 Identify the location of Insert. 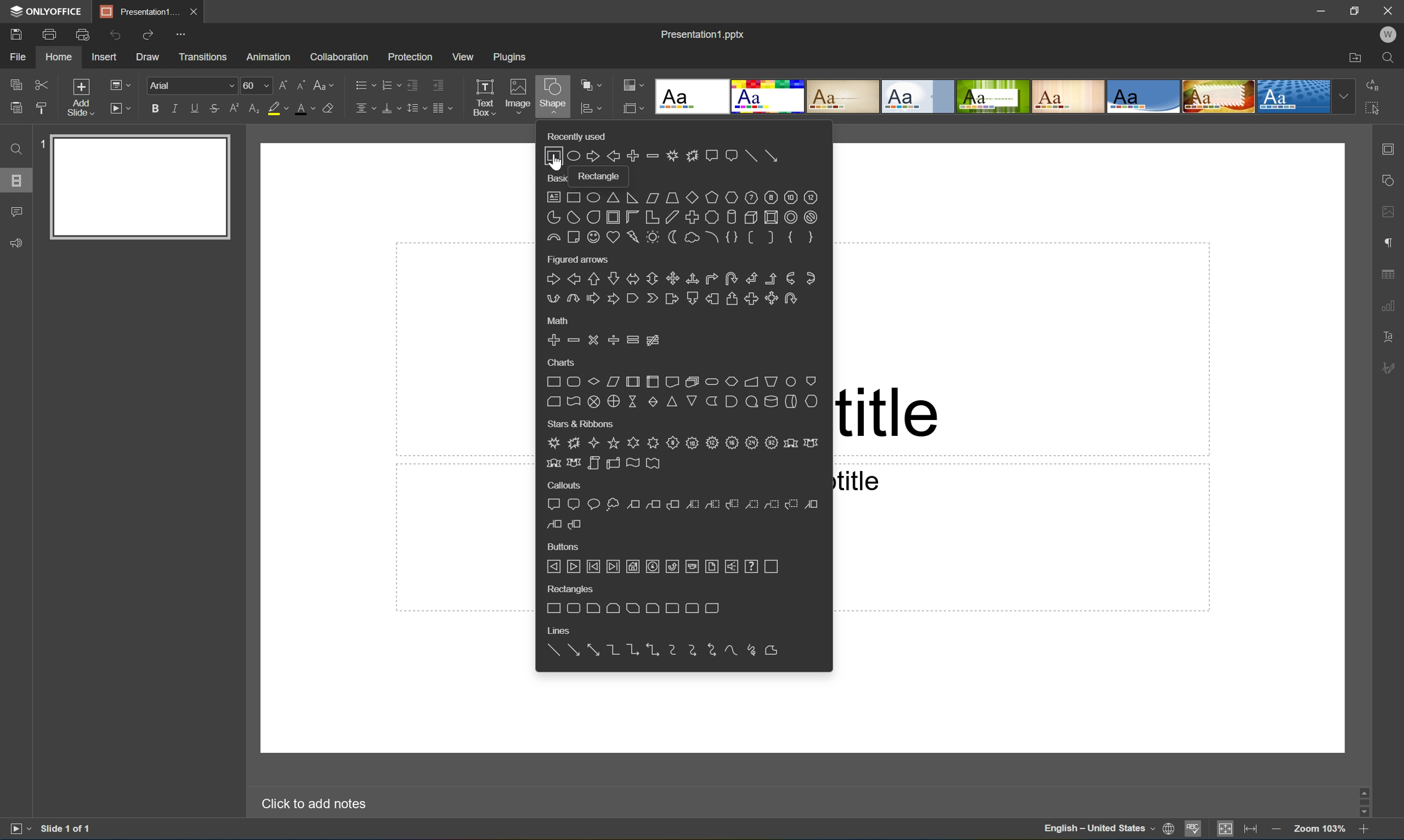
(106, 58).